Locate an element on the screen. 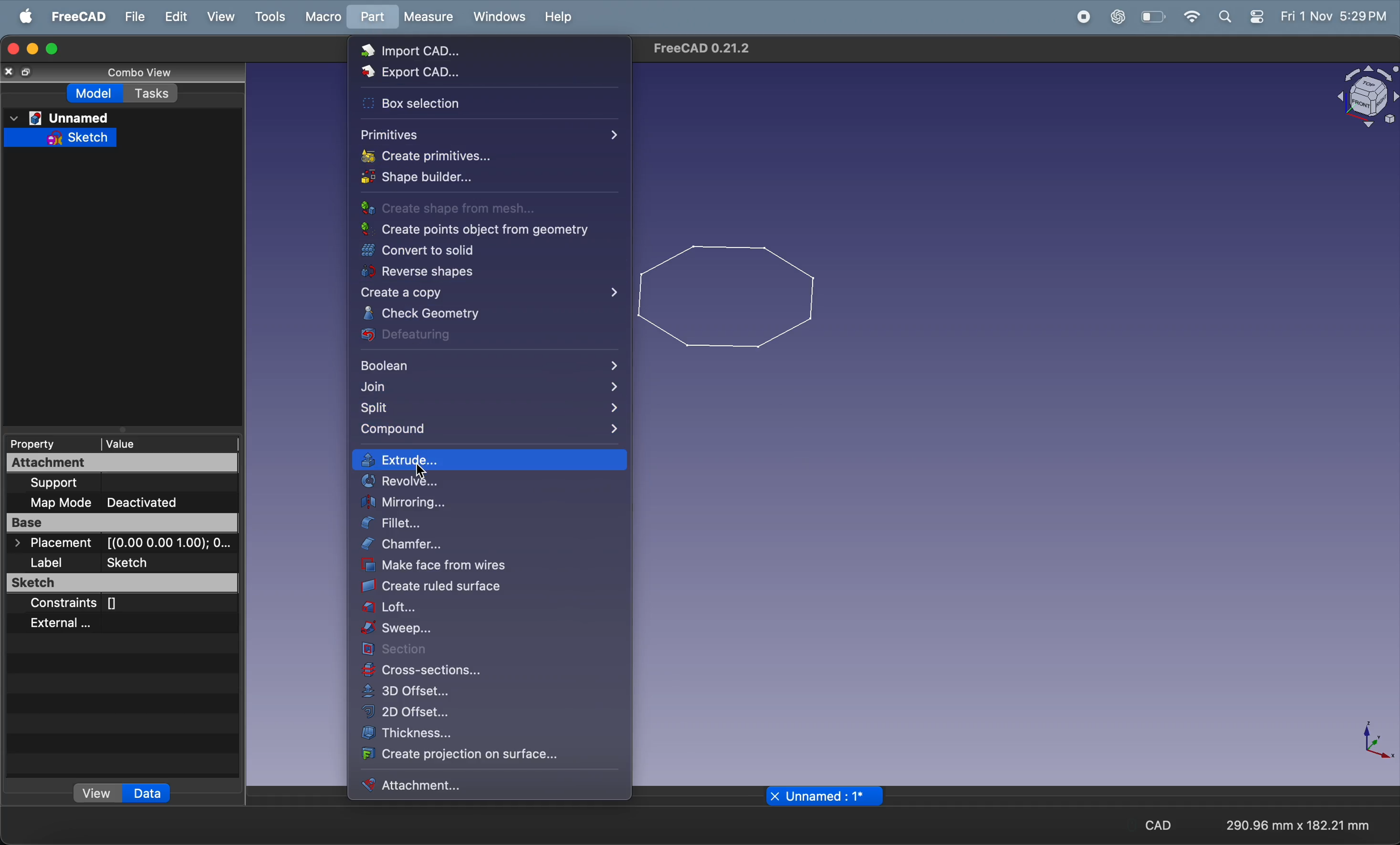 The height and width of the screenshot is (845, 1400). apple widgets is located at coordinates (1237, 16).